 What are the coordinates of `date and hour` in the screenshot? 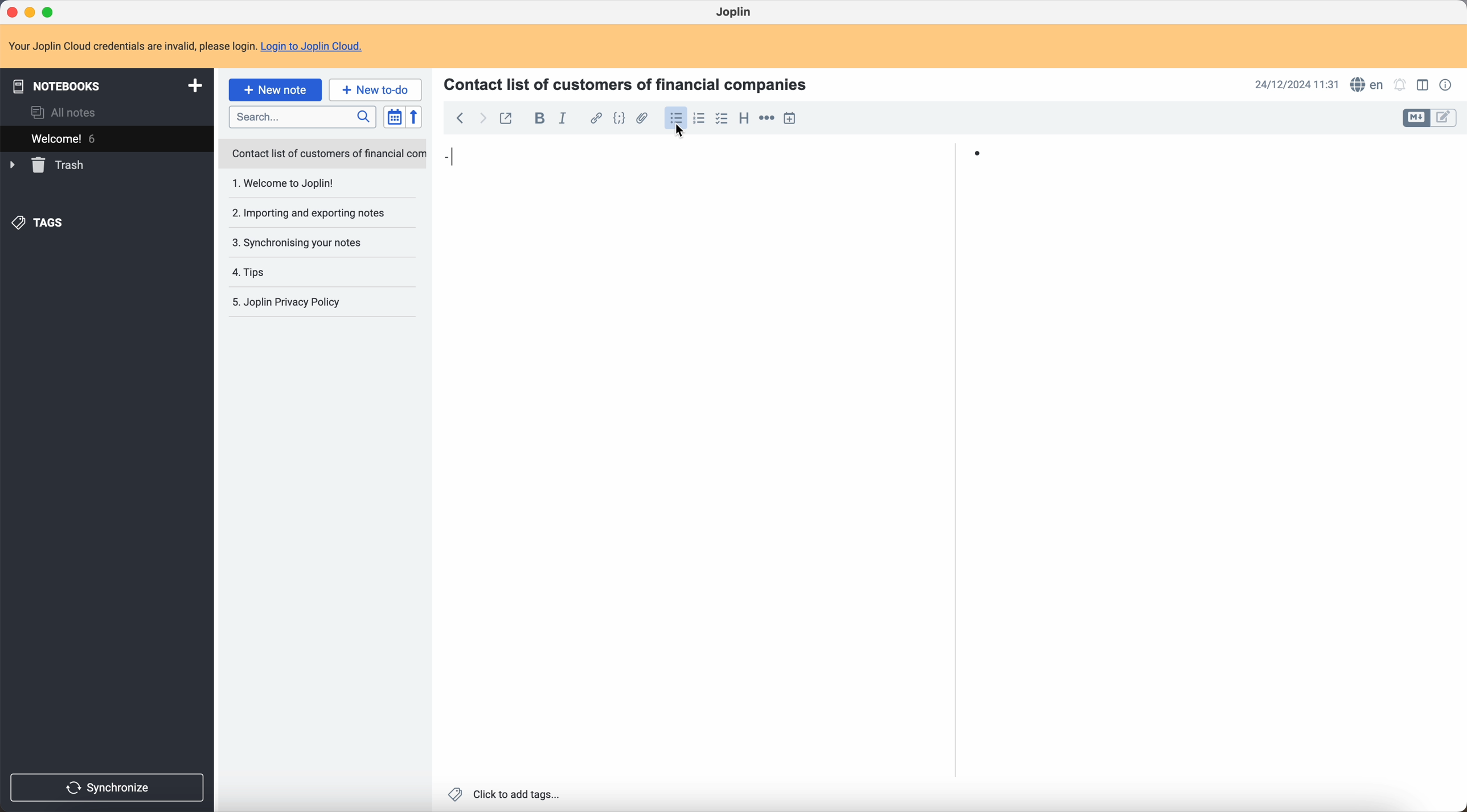 It's located at (1296, 84).